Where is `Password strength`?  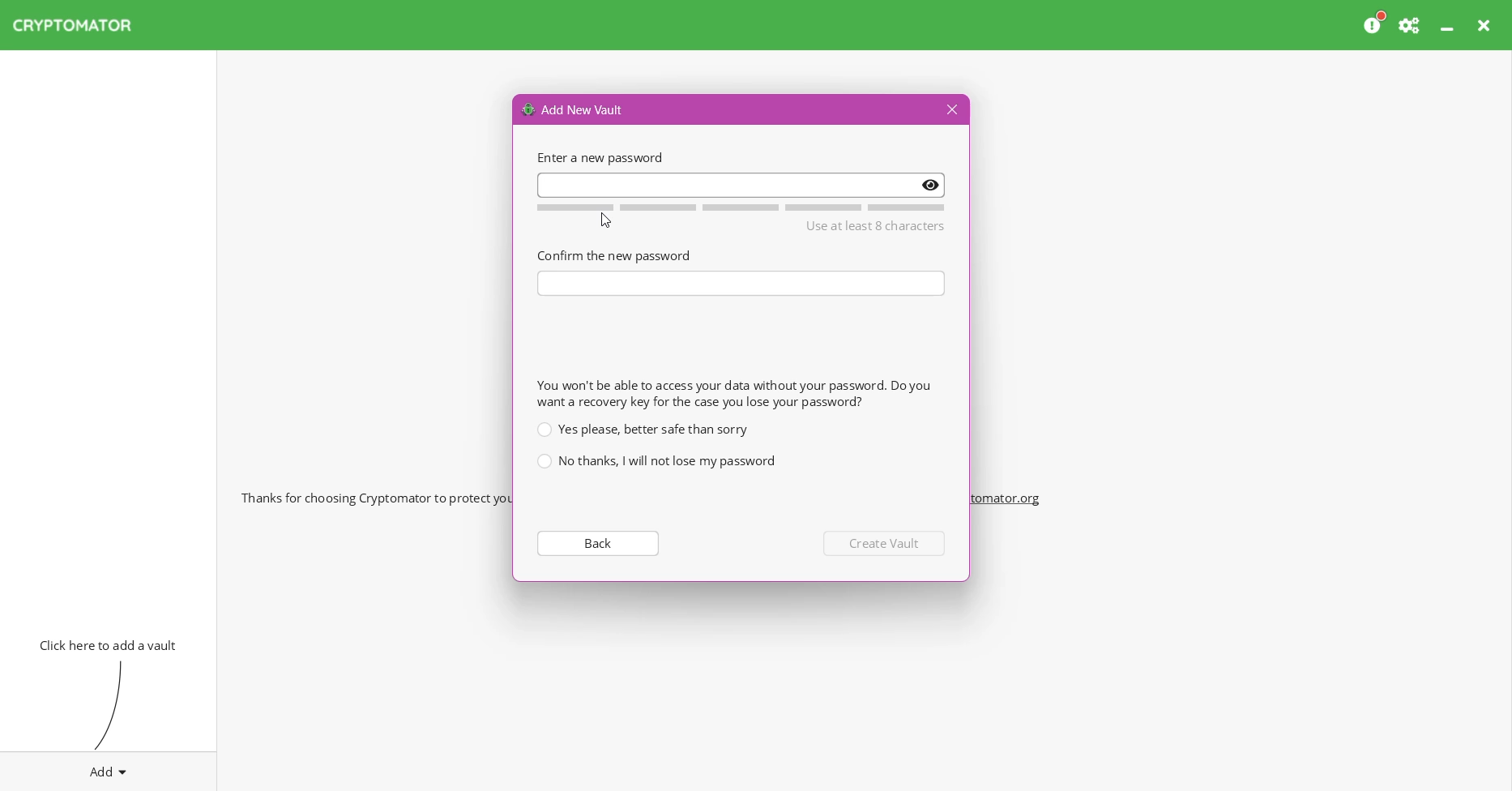
Password strength is located at coordinates (738, 207).